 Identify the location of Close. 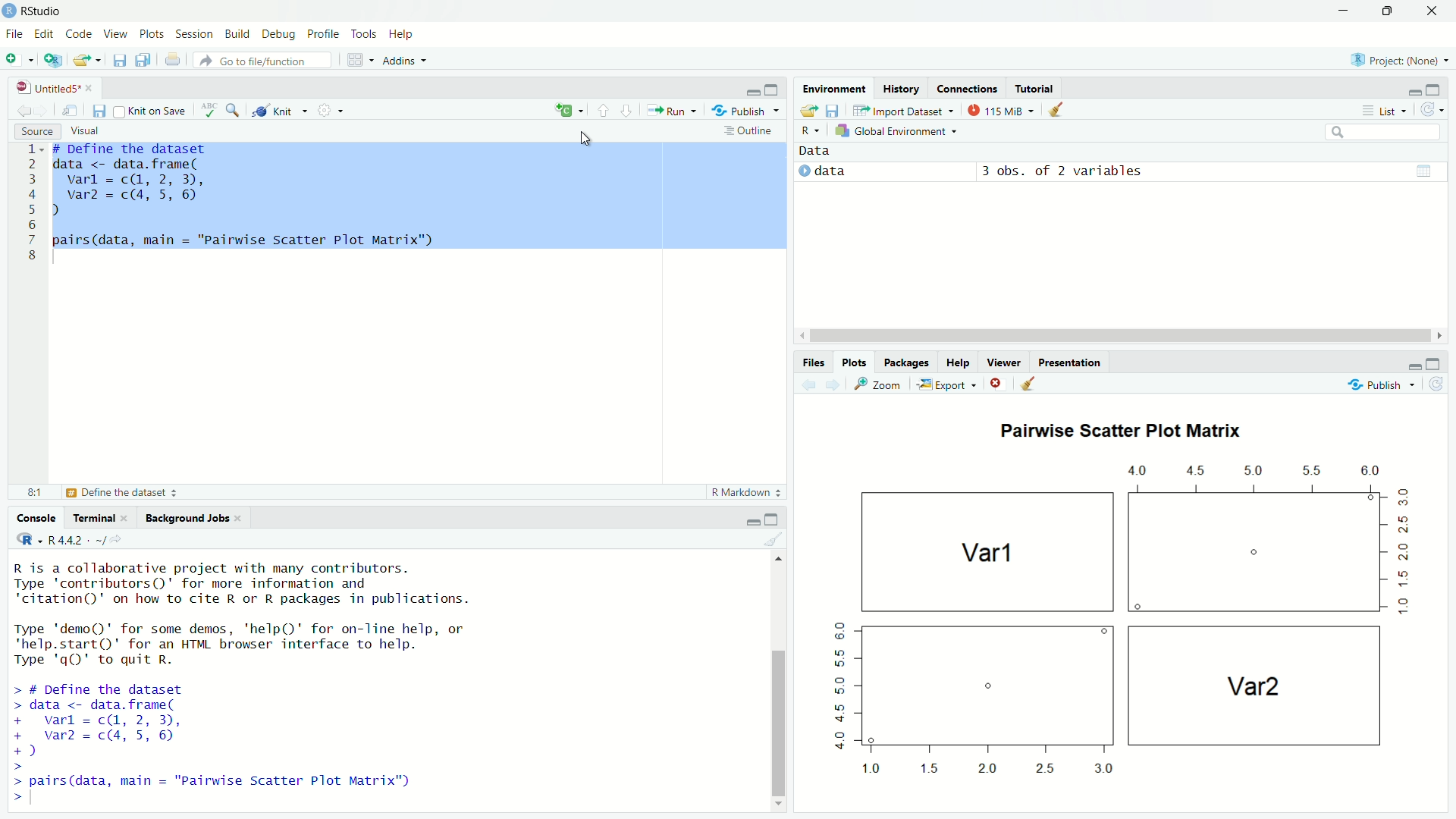
(1434, 10).